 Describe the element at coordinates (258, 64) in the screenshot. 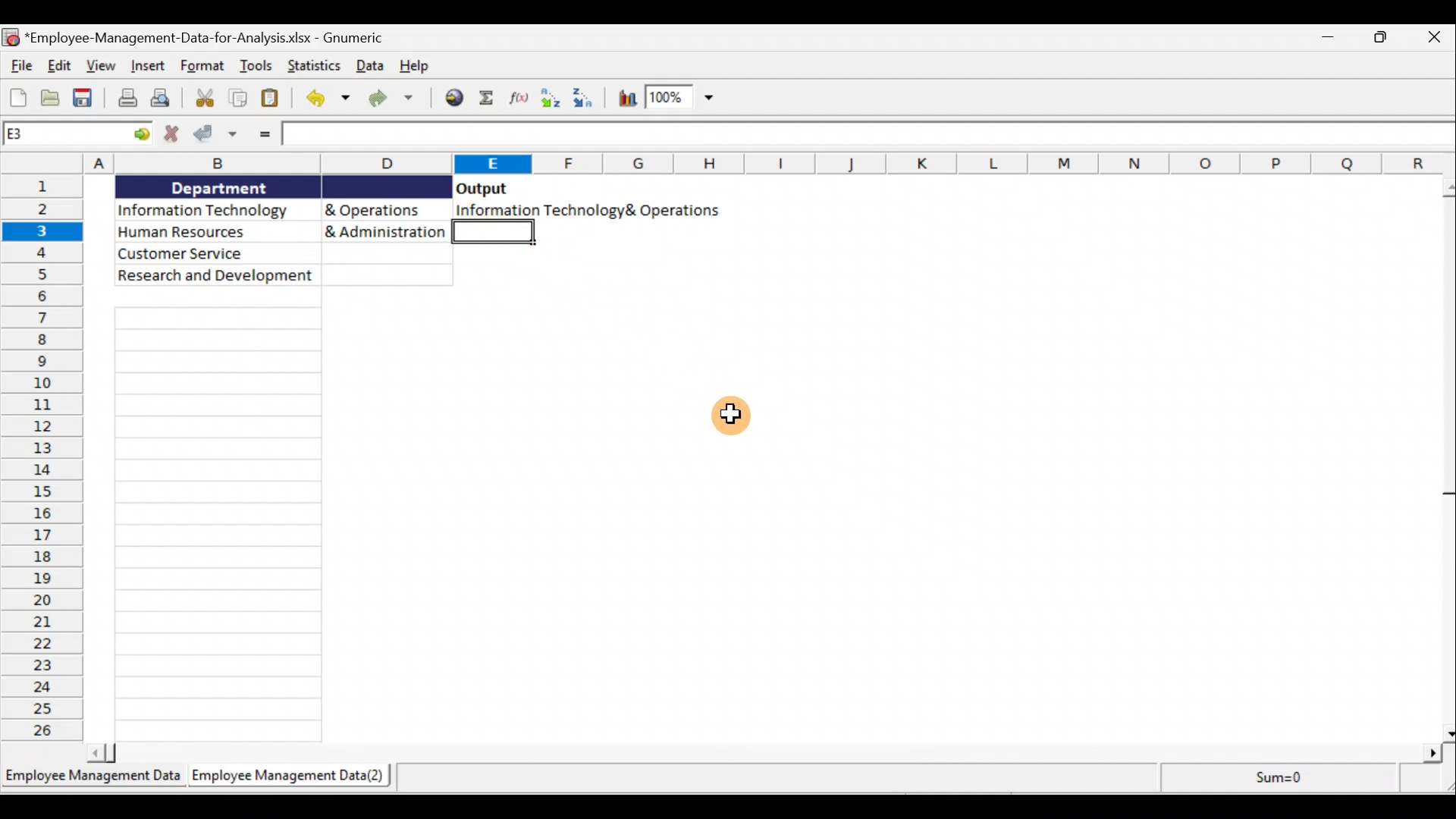

I see `Tools` at that location.